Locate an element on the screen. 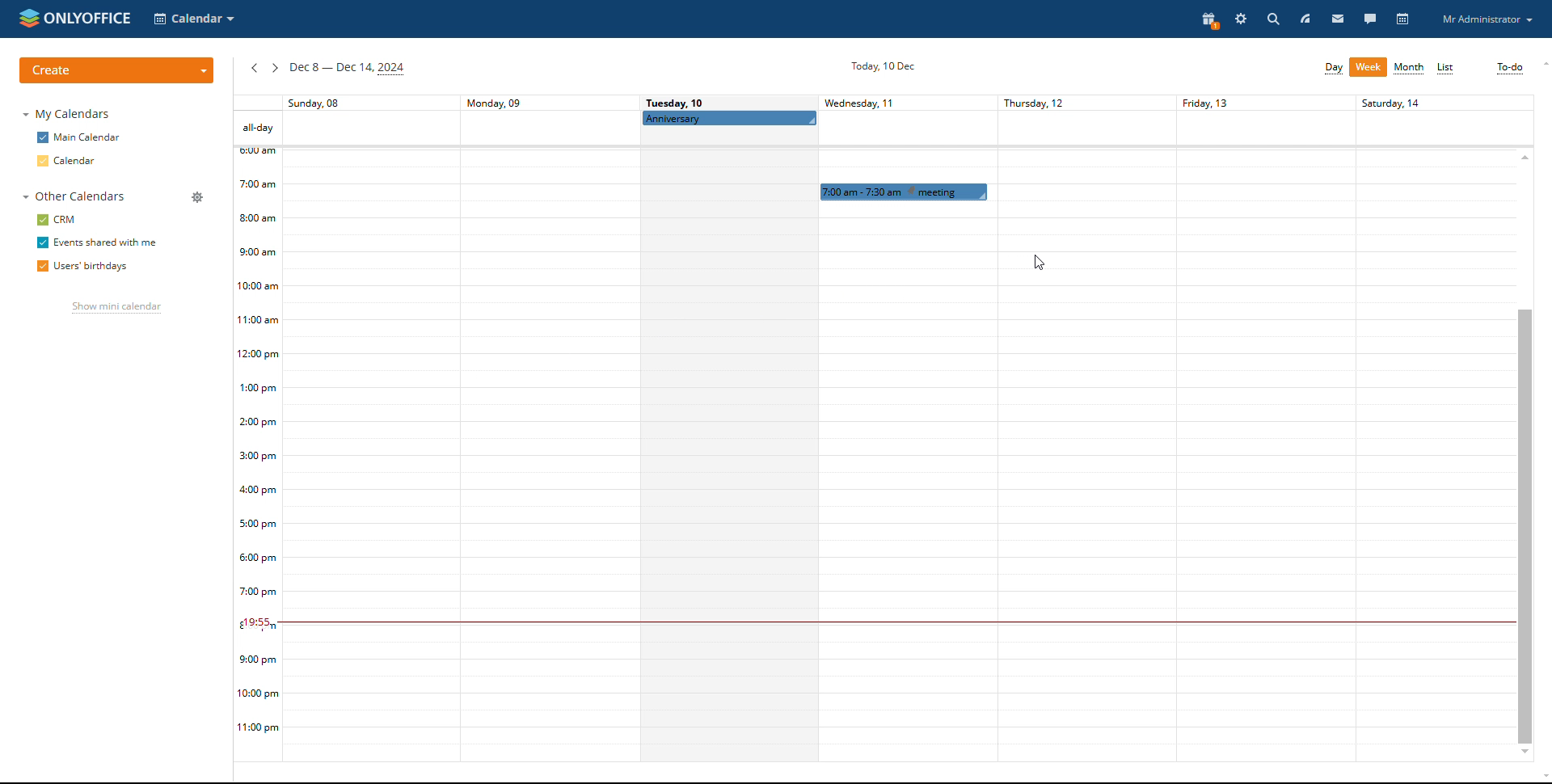 The width and height of the screenshot is (1552, 784). main calendar is located at coordinates (90, 138).